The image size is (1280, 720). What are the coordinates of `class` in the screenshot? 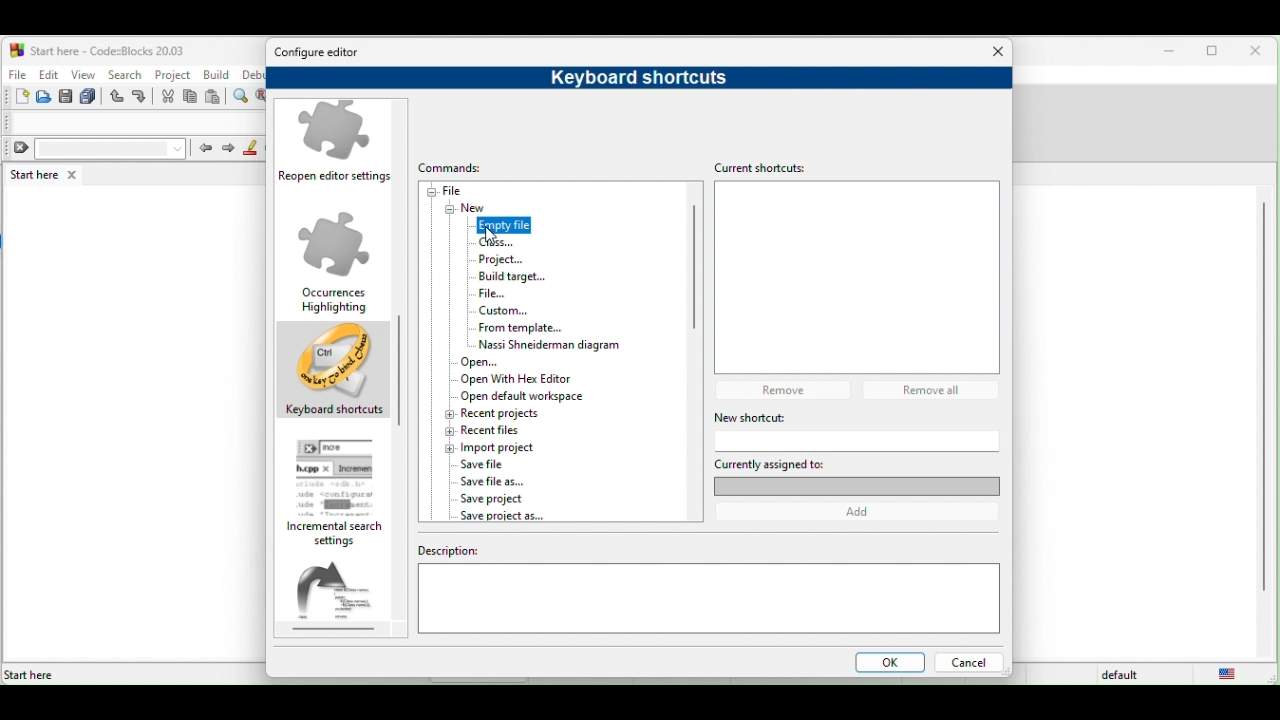 It's located at (497, 242).